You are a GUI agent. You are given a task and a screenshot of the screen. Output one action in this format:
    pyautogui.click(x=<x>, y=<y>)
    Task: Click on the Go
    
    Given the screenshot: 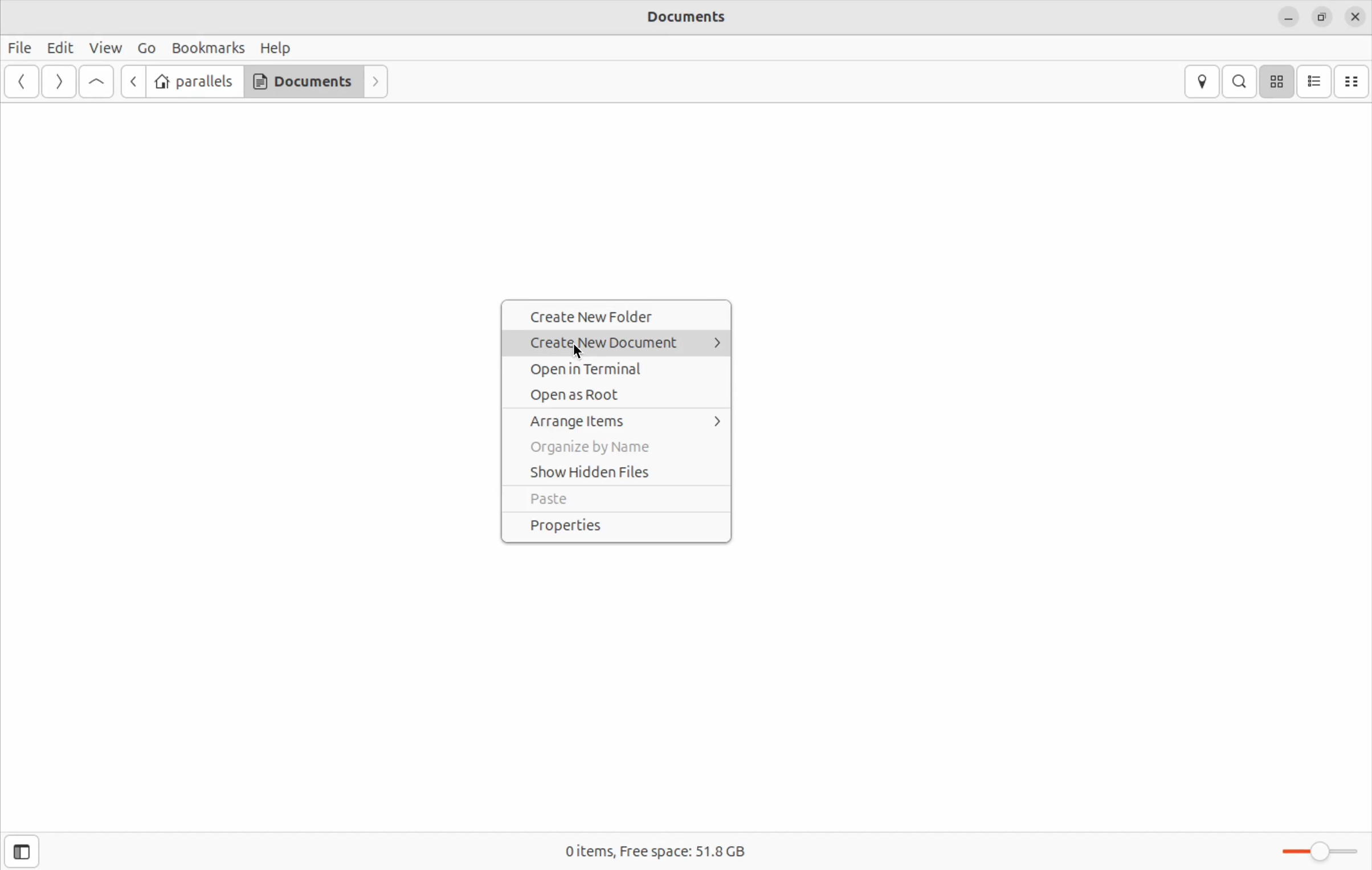 What is the action you would take?
    pyautogui.click(x=145, y=48)
    